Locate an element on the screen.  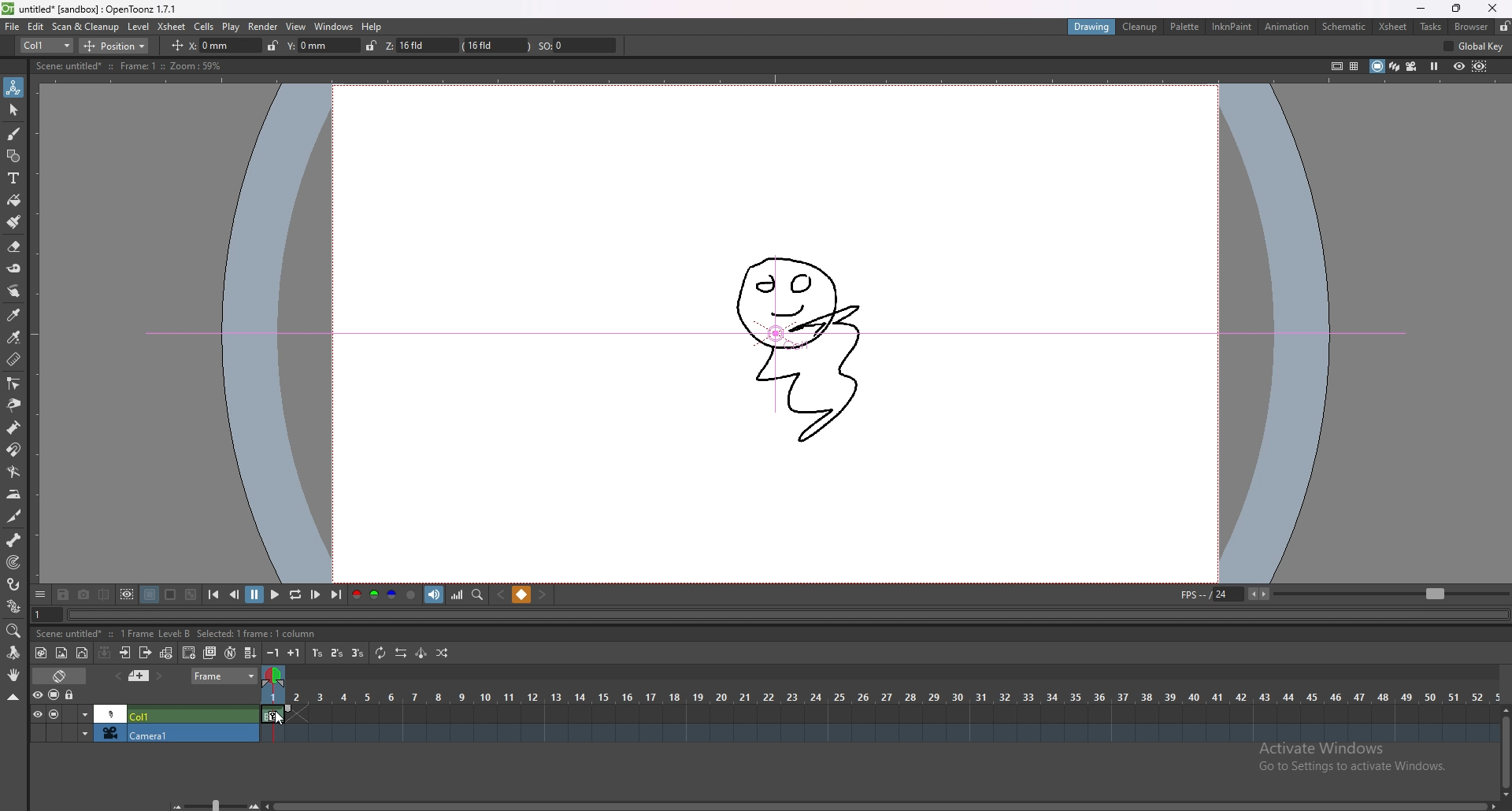
fill is located at coordinates (14, 201).